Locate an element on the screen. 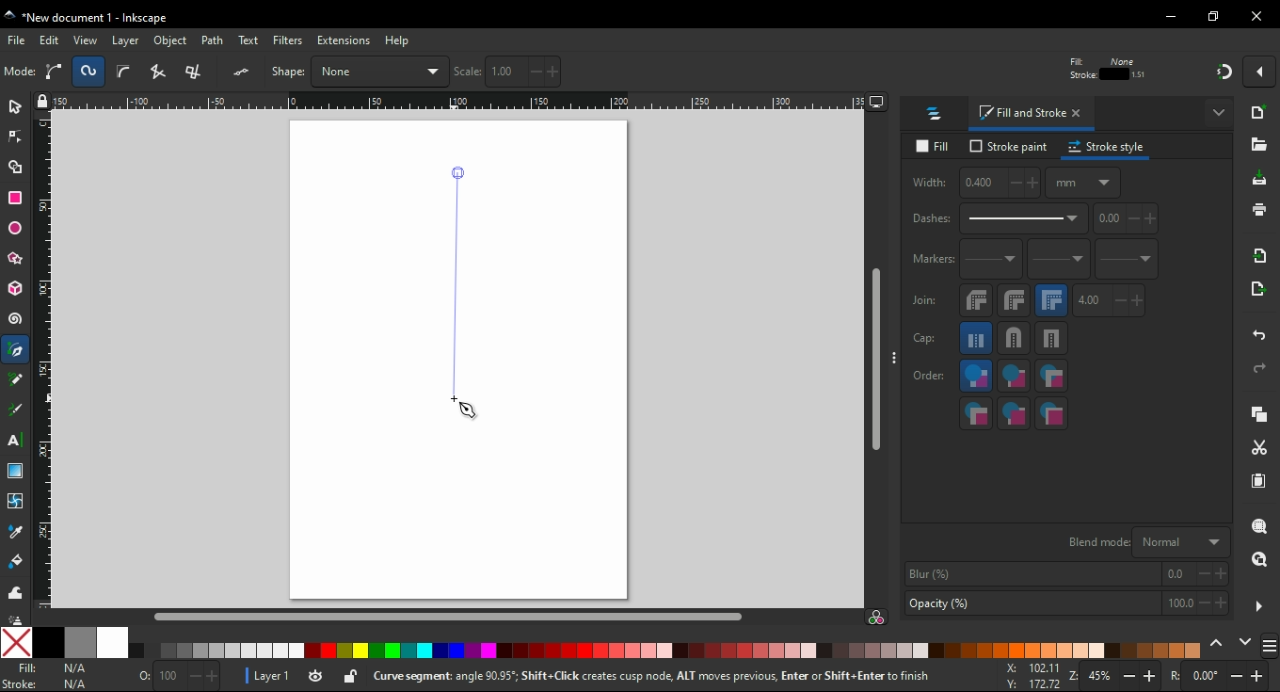 The height and width of the screenshot is (692, 1280). select tool is located at coordinates (15, 105).